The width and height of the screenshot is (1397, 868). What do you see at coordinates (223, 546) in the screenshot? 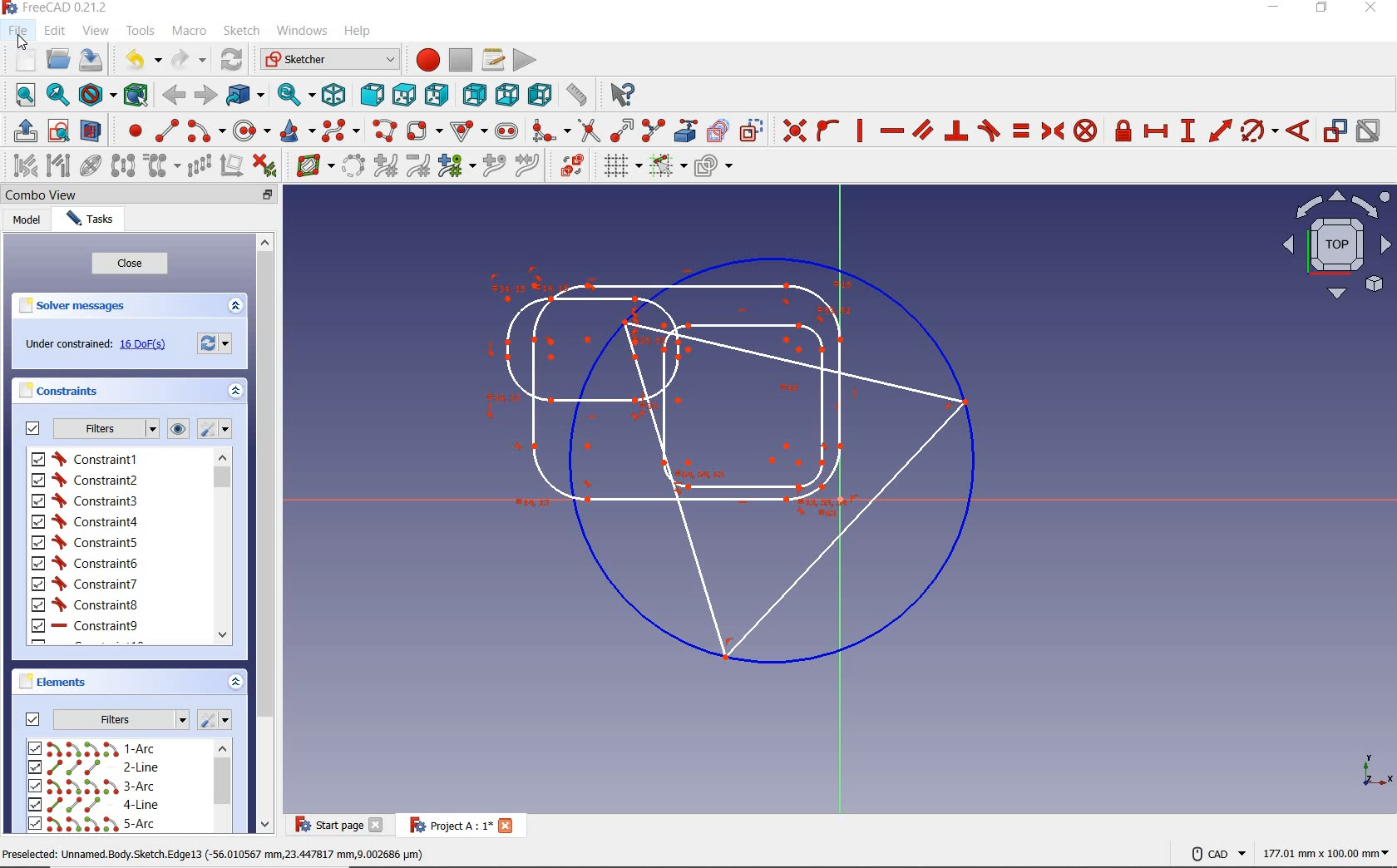
I see `scrollbar` at bounding box center [223, 546].